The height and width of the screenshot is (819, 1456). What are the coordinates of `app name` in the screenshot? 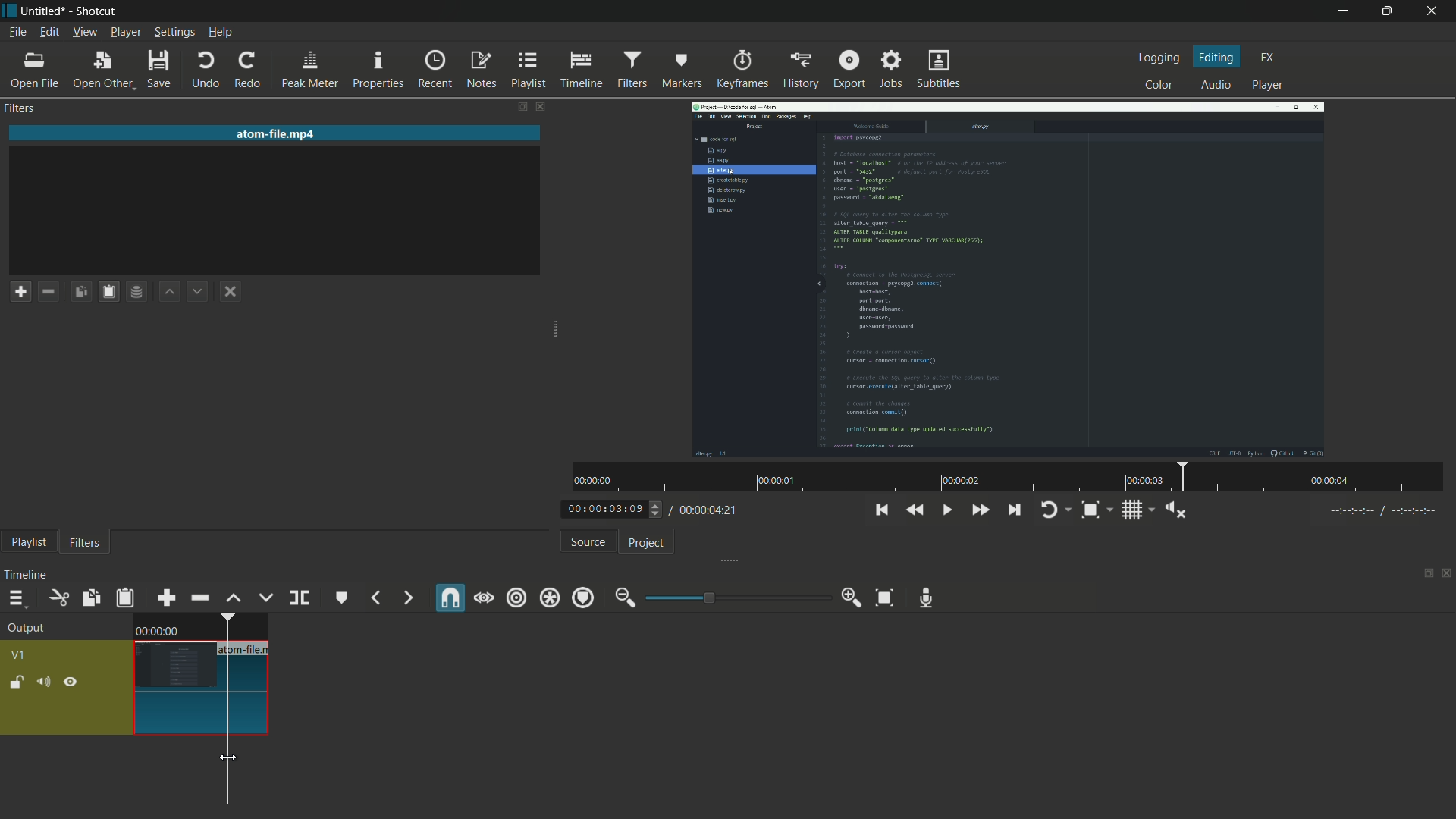 It's located at (96, 11).